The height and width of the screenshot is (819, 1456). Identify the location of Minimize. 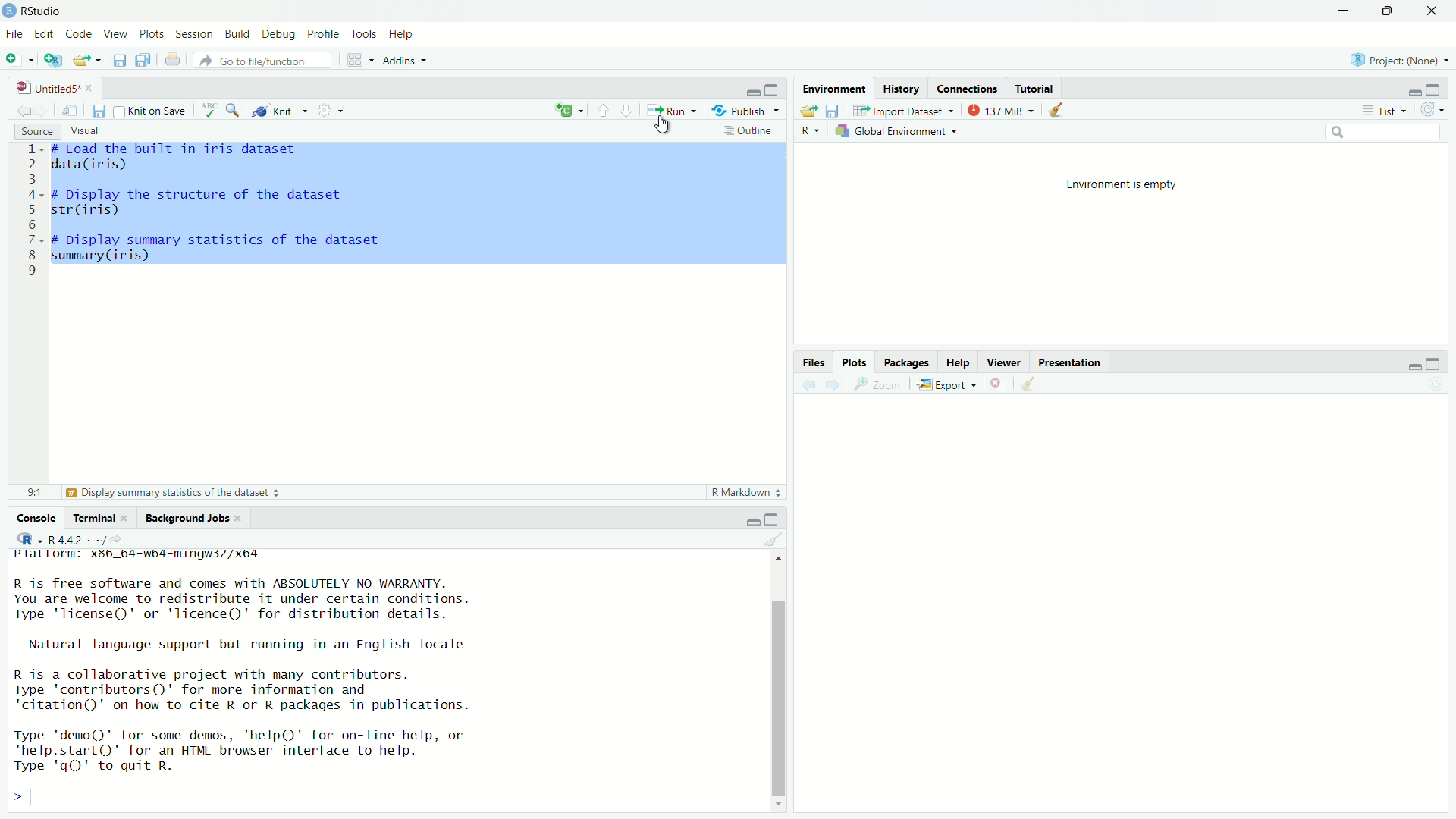
(1345, 11).